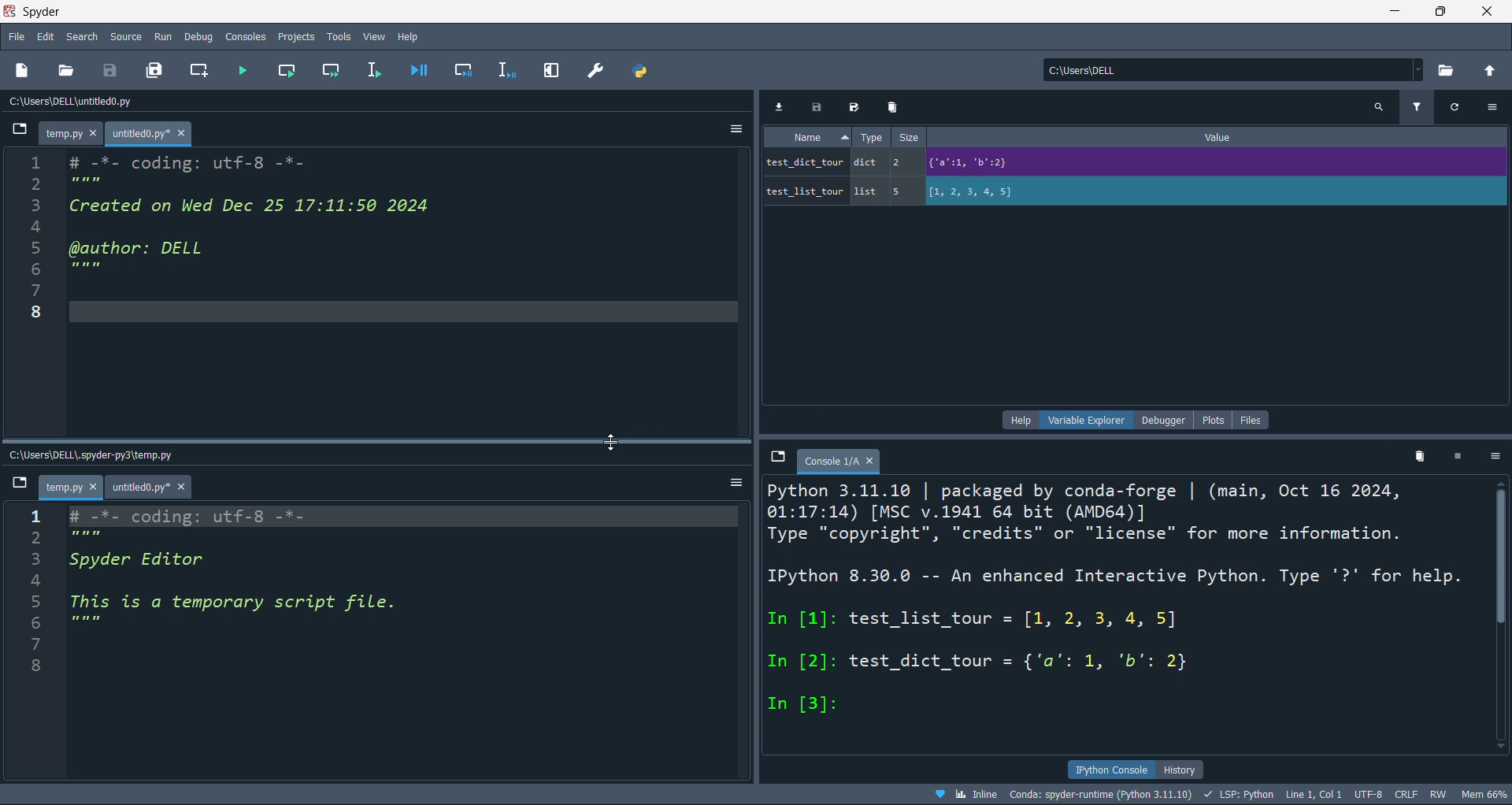 The image size is (1512, 805). What do you see at coordinates (1503, 607) in the screenshot?
I see `Scrollbar` at bounding box center [1503, 607].